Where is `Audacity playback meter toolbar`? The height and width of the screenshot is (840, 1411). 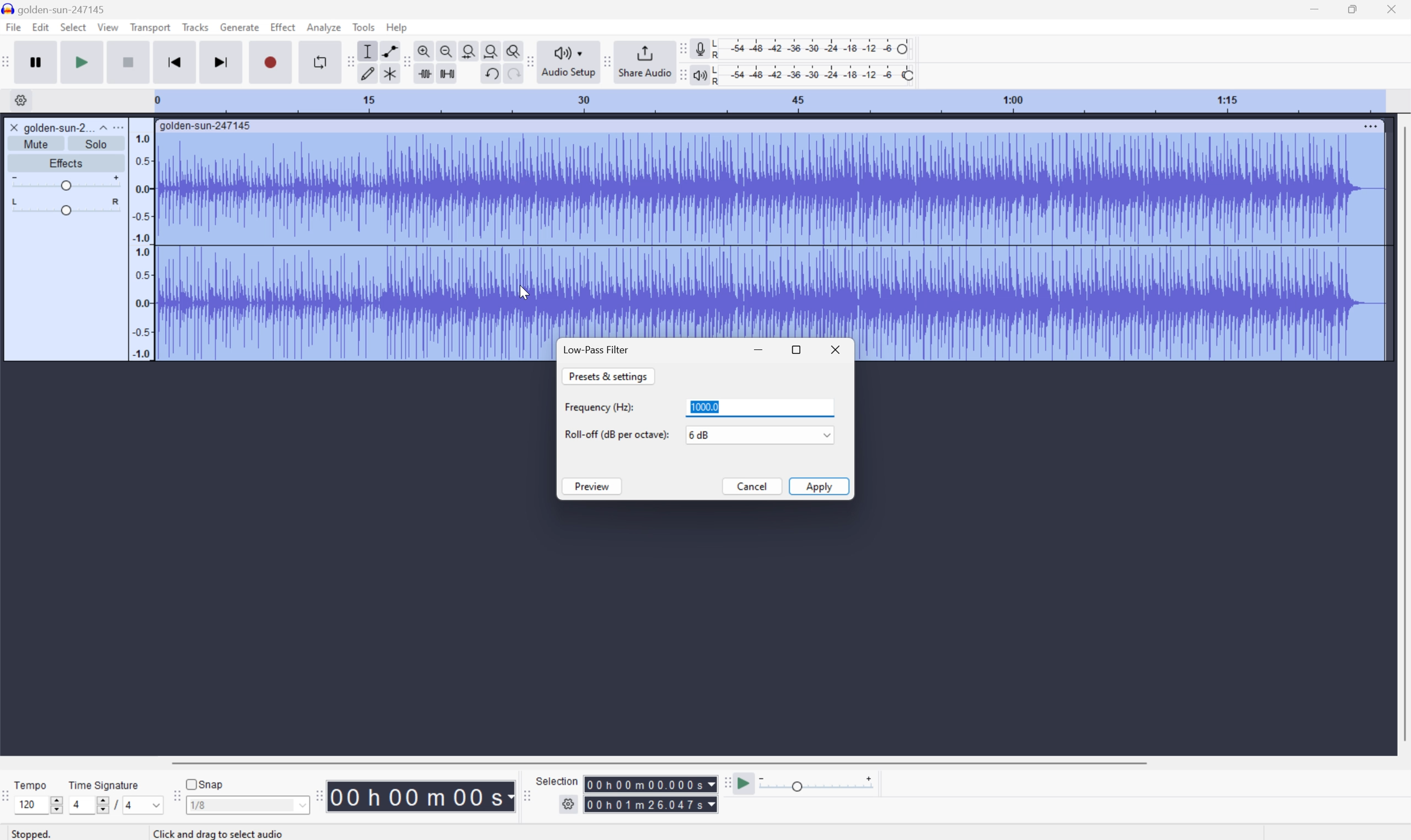
Audacity playback meter toolbar is located at coordinates (680, 76).